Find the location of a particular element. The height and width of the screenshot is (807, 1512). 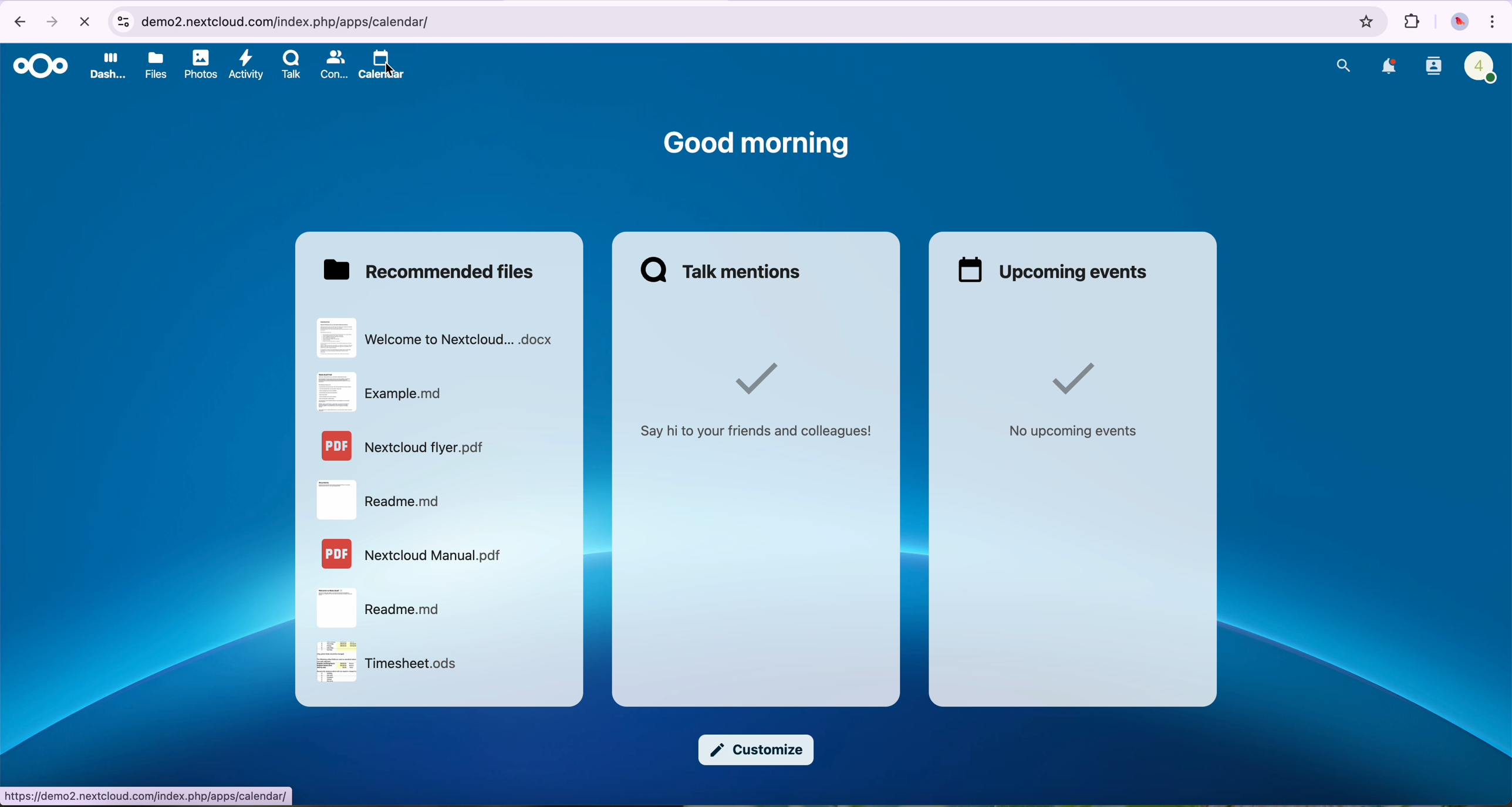

contacts is located at coordinates (1432, 67).